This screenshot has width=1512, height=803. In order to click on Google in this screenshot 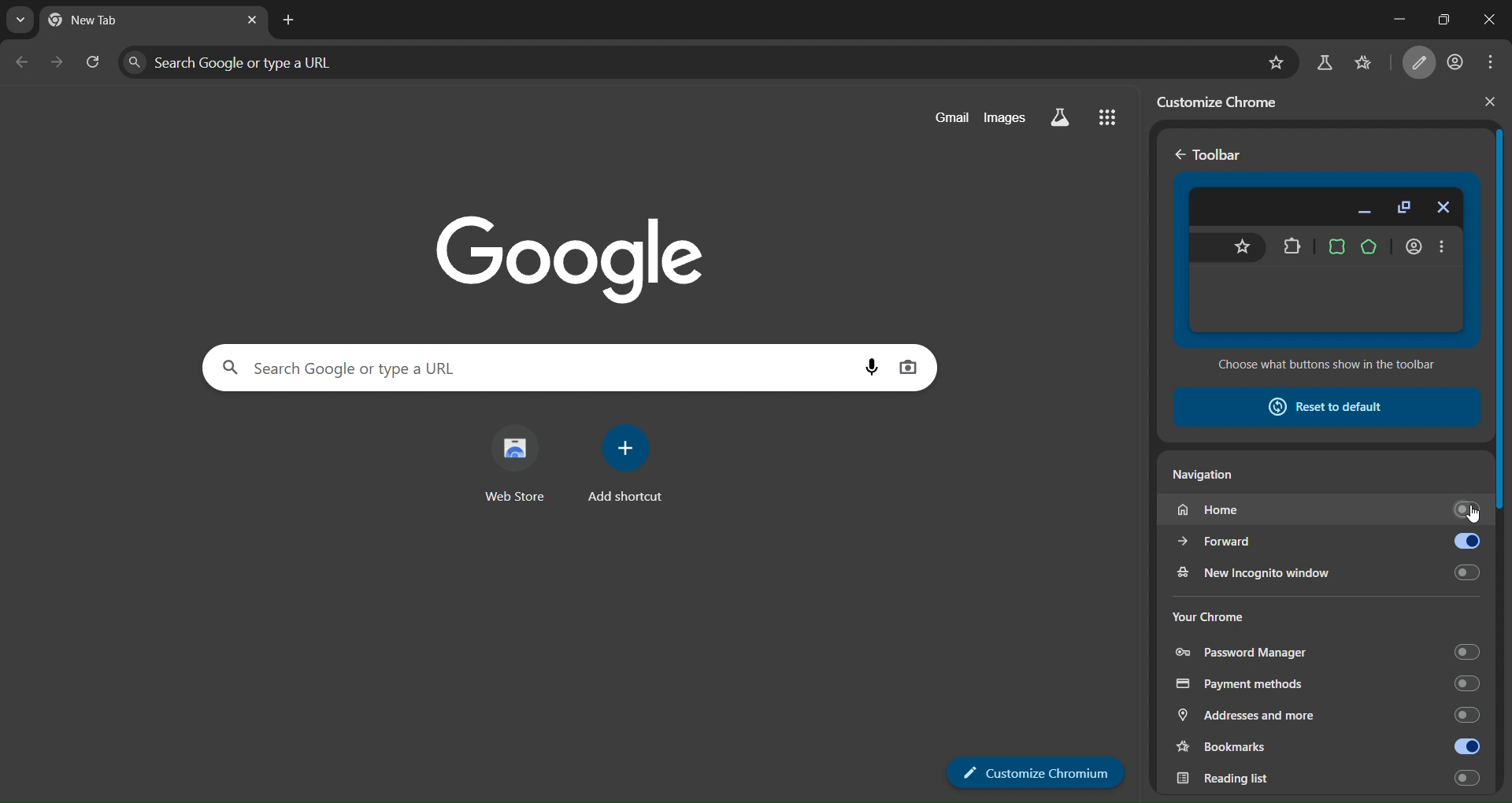, I will do `click(563, 246)`.